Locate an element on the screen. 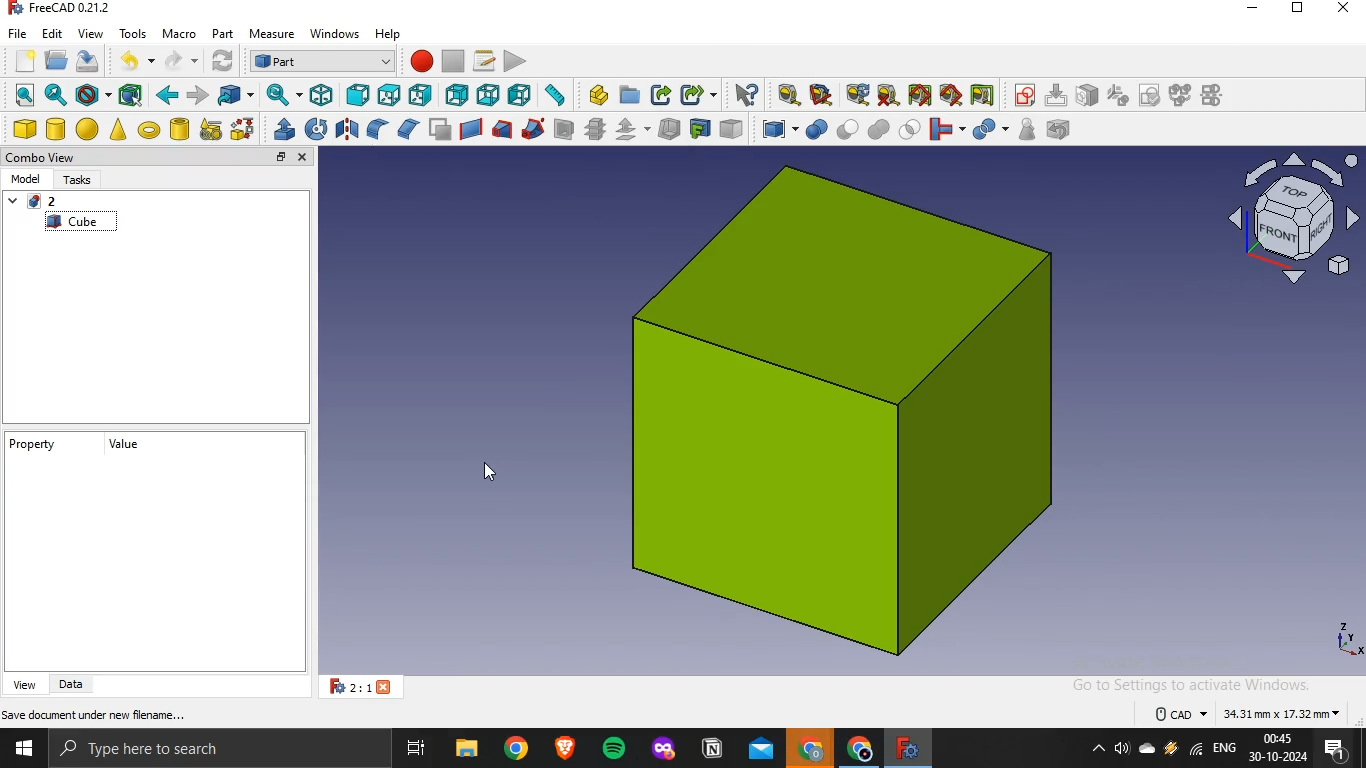 The width and height of the screenshot is (1366, 768). dimensions is located at coordinates (1256, 711).